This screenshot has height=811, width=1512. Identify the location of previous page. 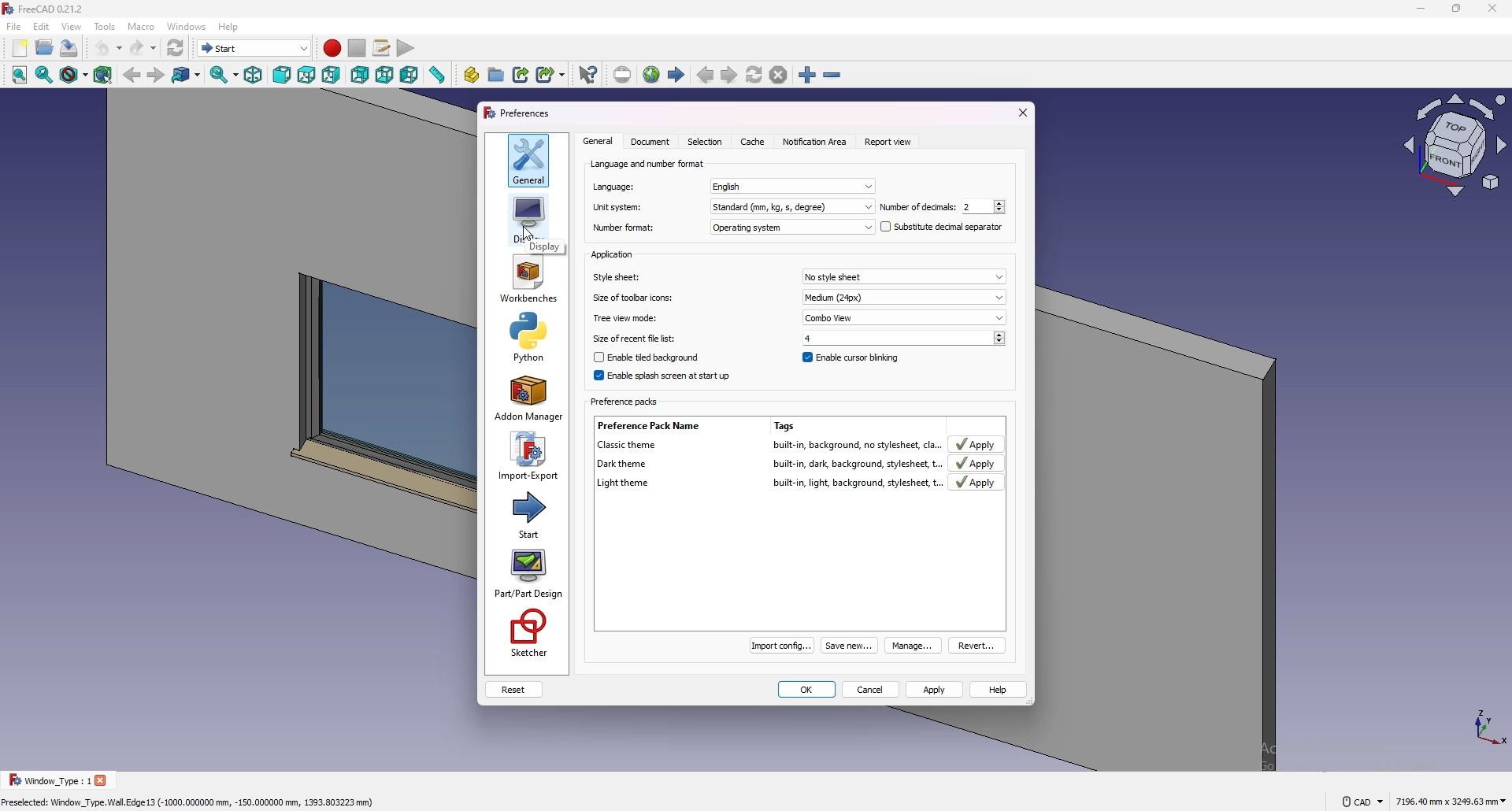
(706, 76).